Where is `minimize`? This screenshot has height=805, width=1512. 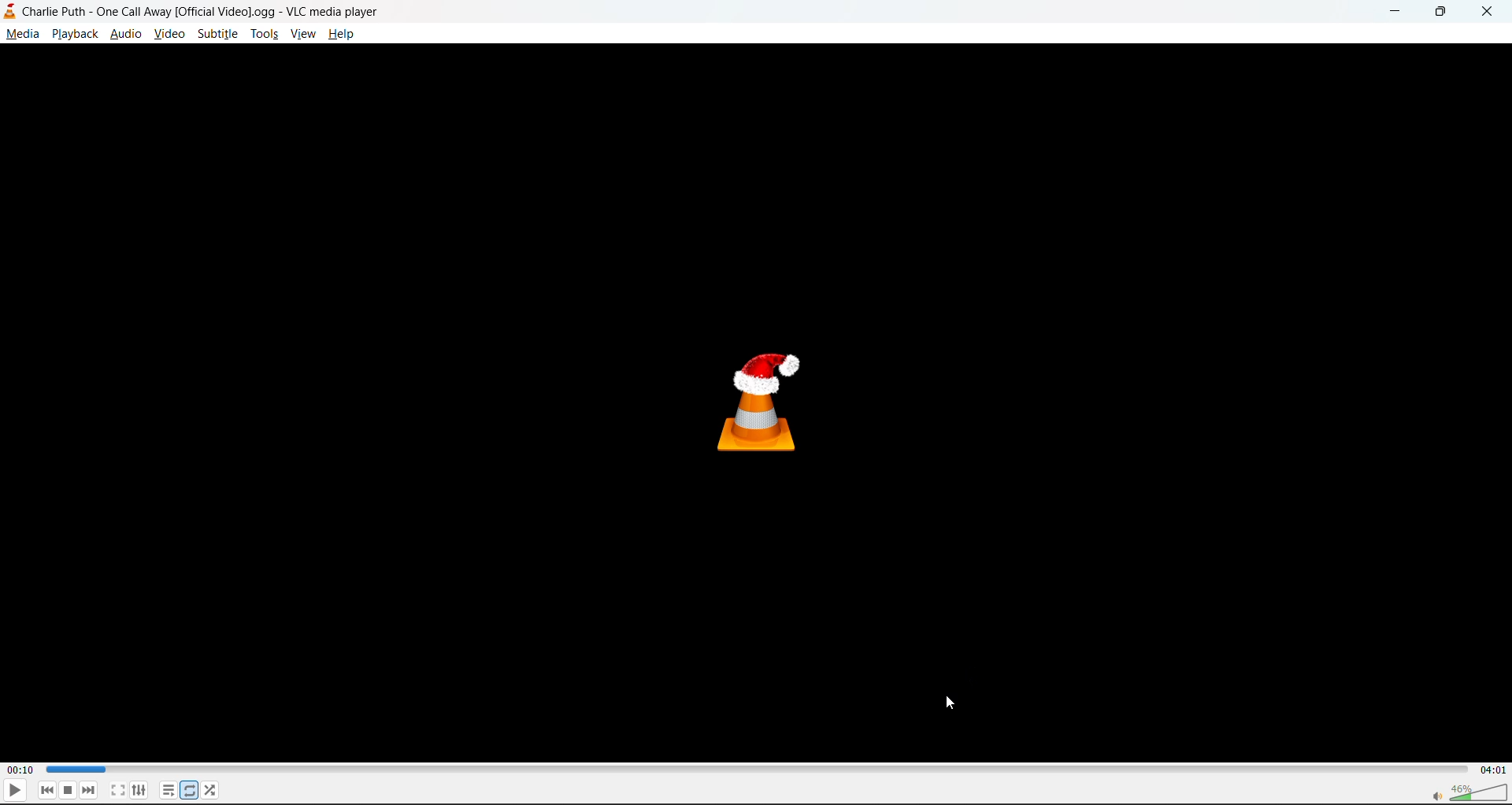 minimize is located at coordinates (1392, 10).